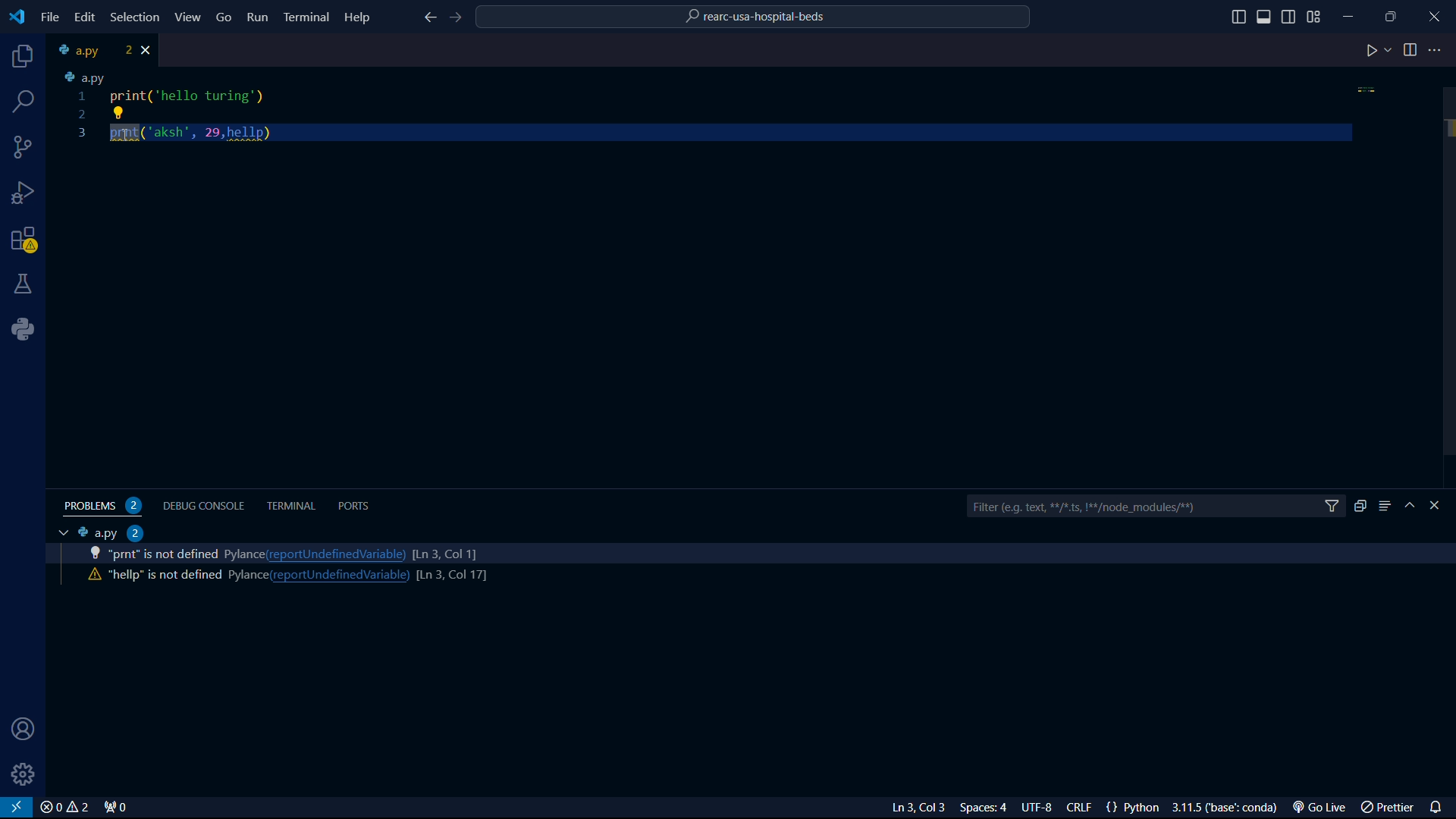 The image size is (1456, 819). Describe the element at coordinates (1082, 808) in the screenshot. I see `CRLF` at that location.